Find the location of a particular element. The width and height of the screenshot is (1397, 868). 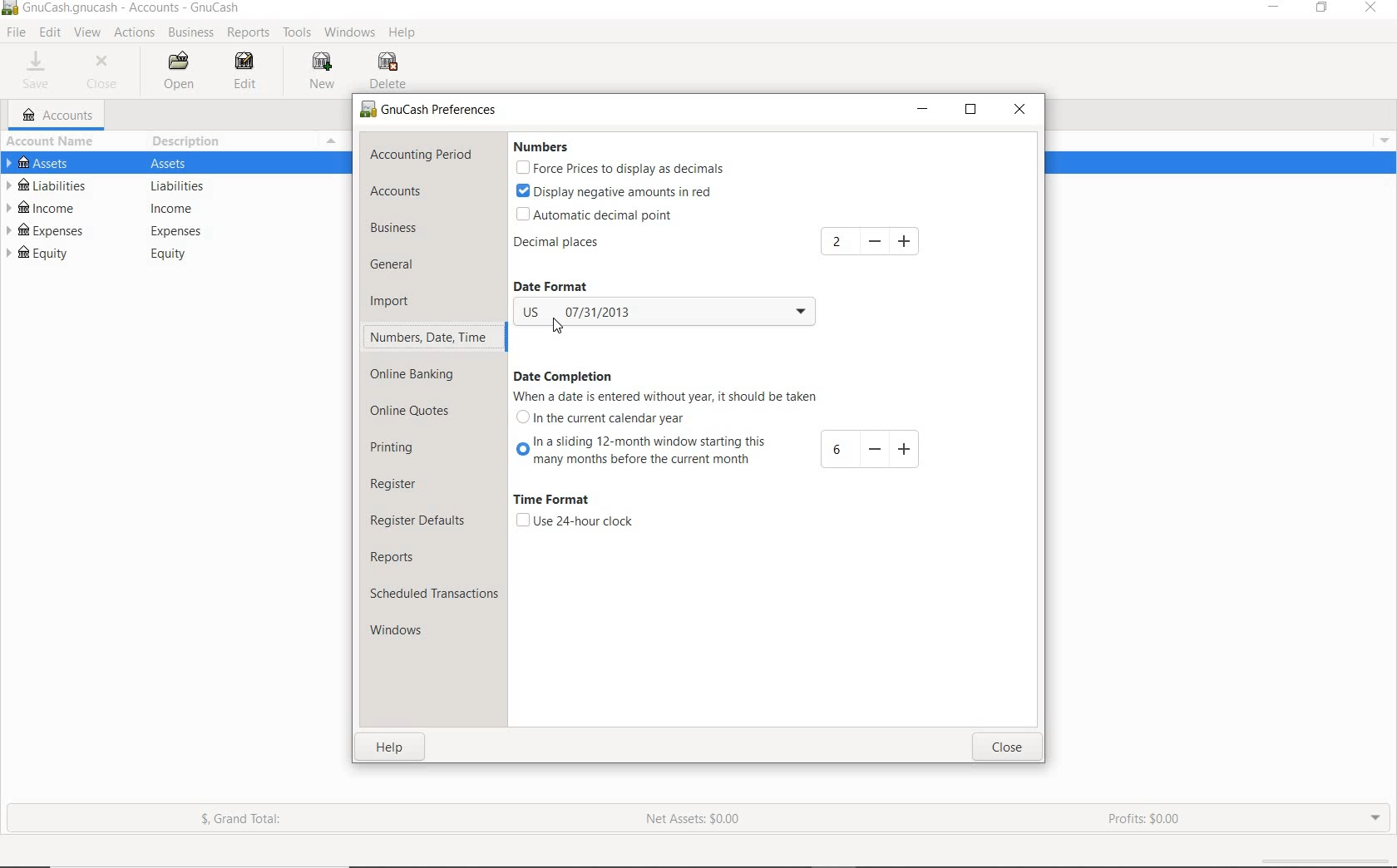

restore down is located at coordinates (975, 113).